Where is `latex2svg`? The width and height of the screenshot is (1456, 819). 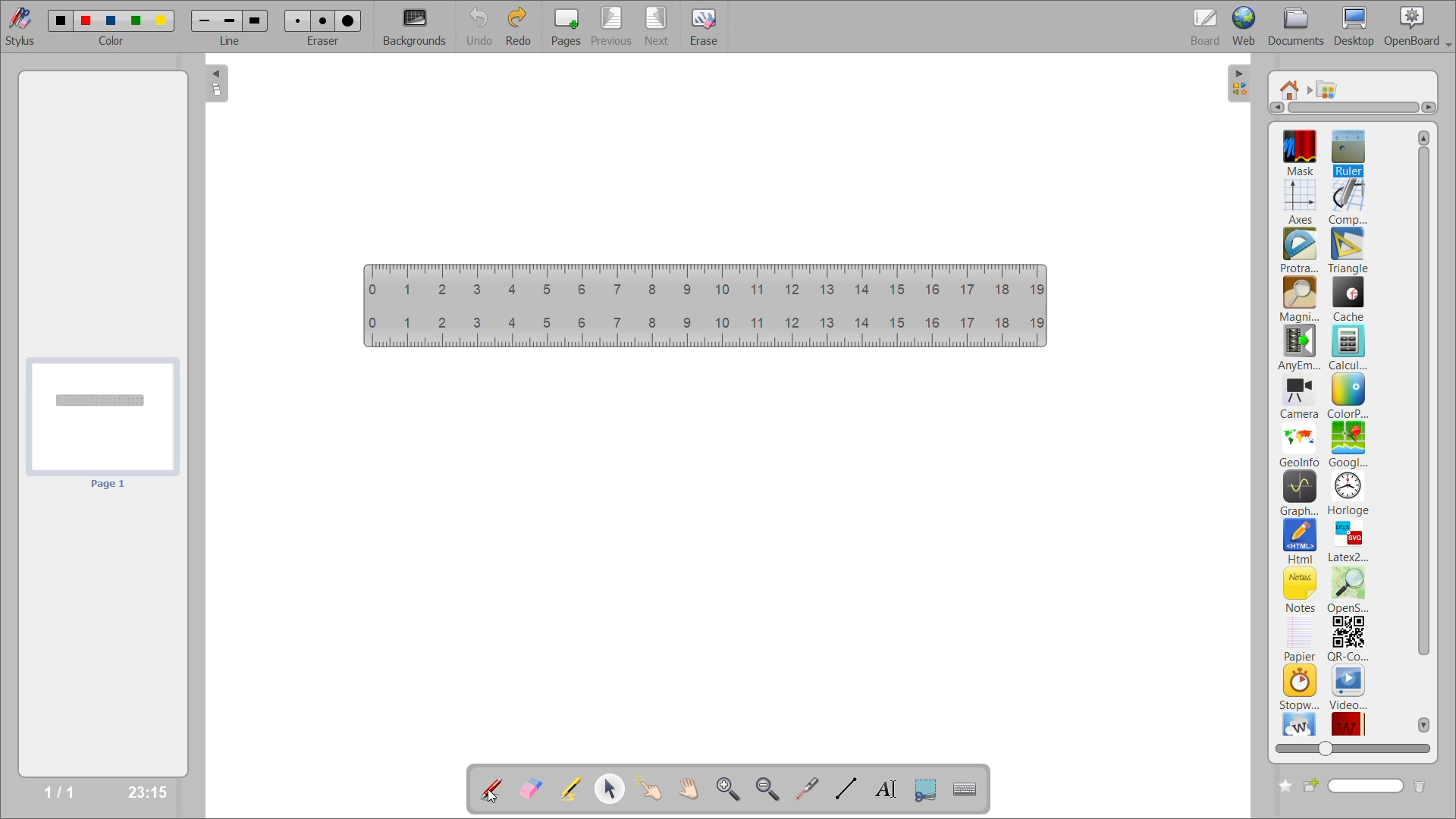 latex2svg is located at coordinates (1348, 541).